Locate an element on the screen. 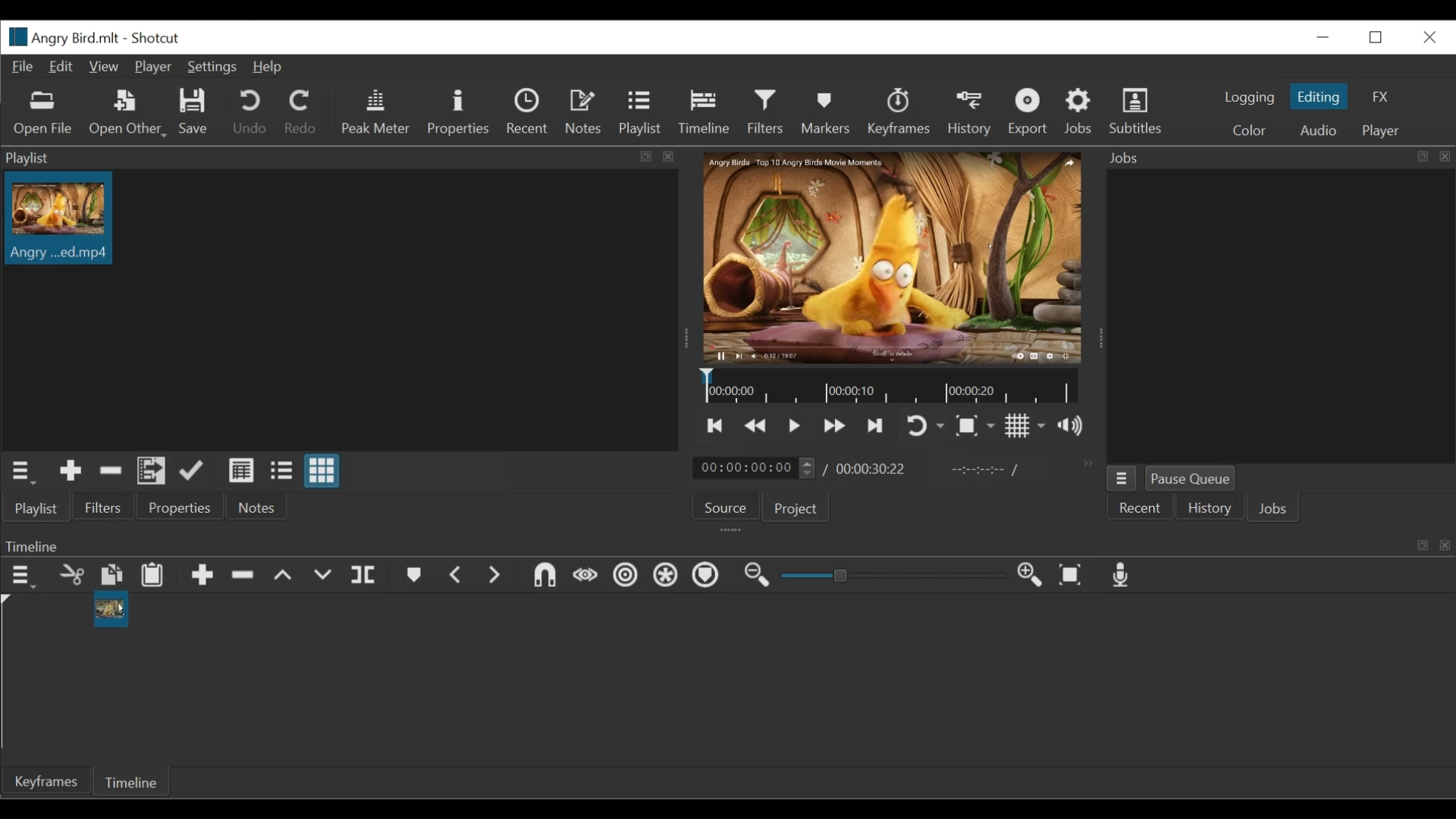 Image resolution: width=1456 pixels, height=819 pixels. View as icons is located at coordinates (322, 469).